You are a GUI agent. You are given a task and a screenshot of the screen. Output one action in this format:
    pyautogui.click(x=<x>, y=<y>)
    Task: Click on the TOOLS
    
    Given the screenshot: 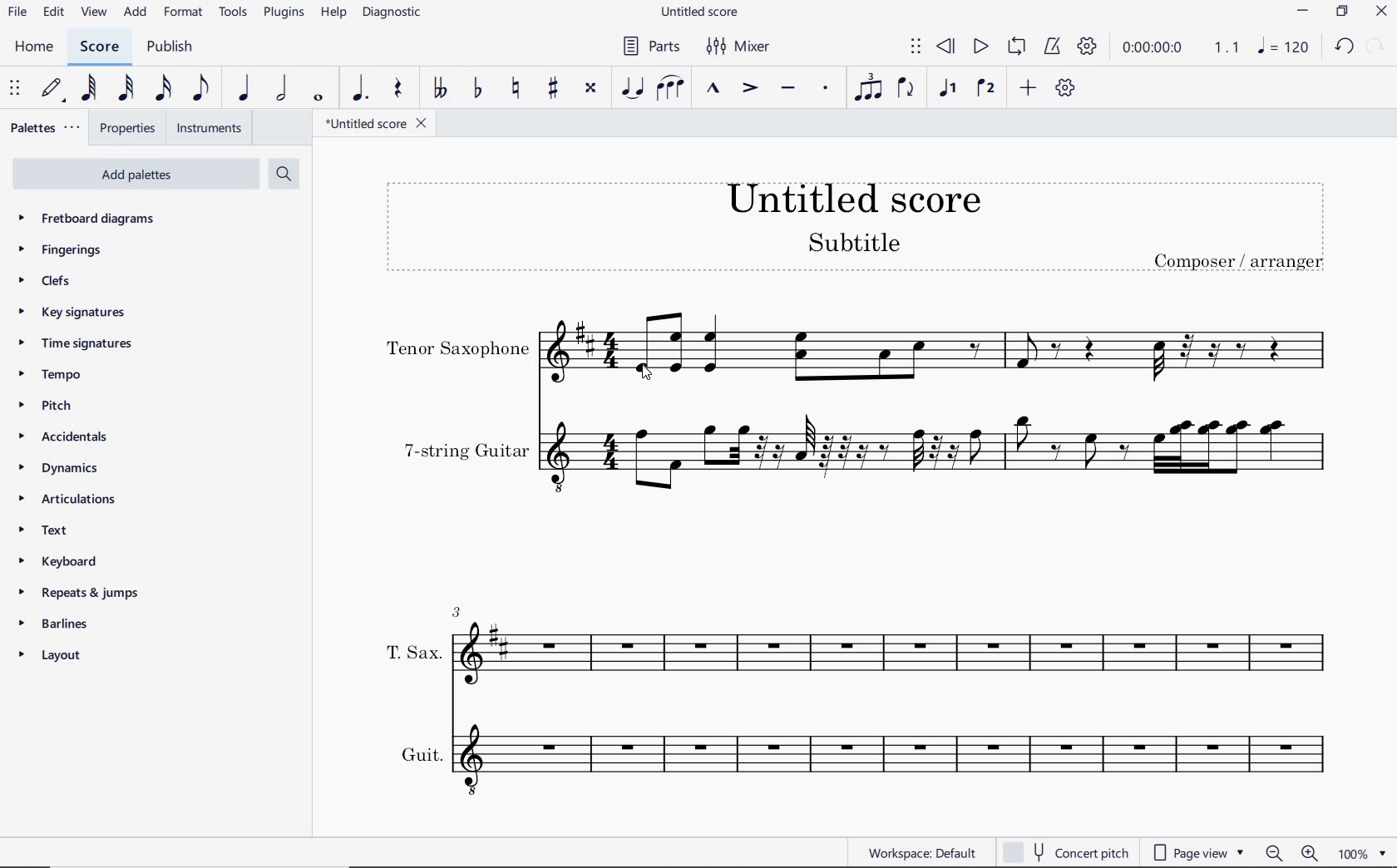 What is the action you would take?
    pyautogui.click(x=234, y=13)
    